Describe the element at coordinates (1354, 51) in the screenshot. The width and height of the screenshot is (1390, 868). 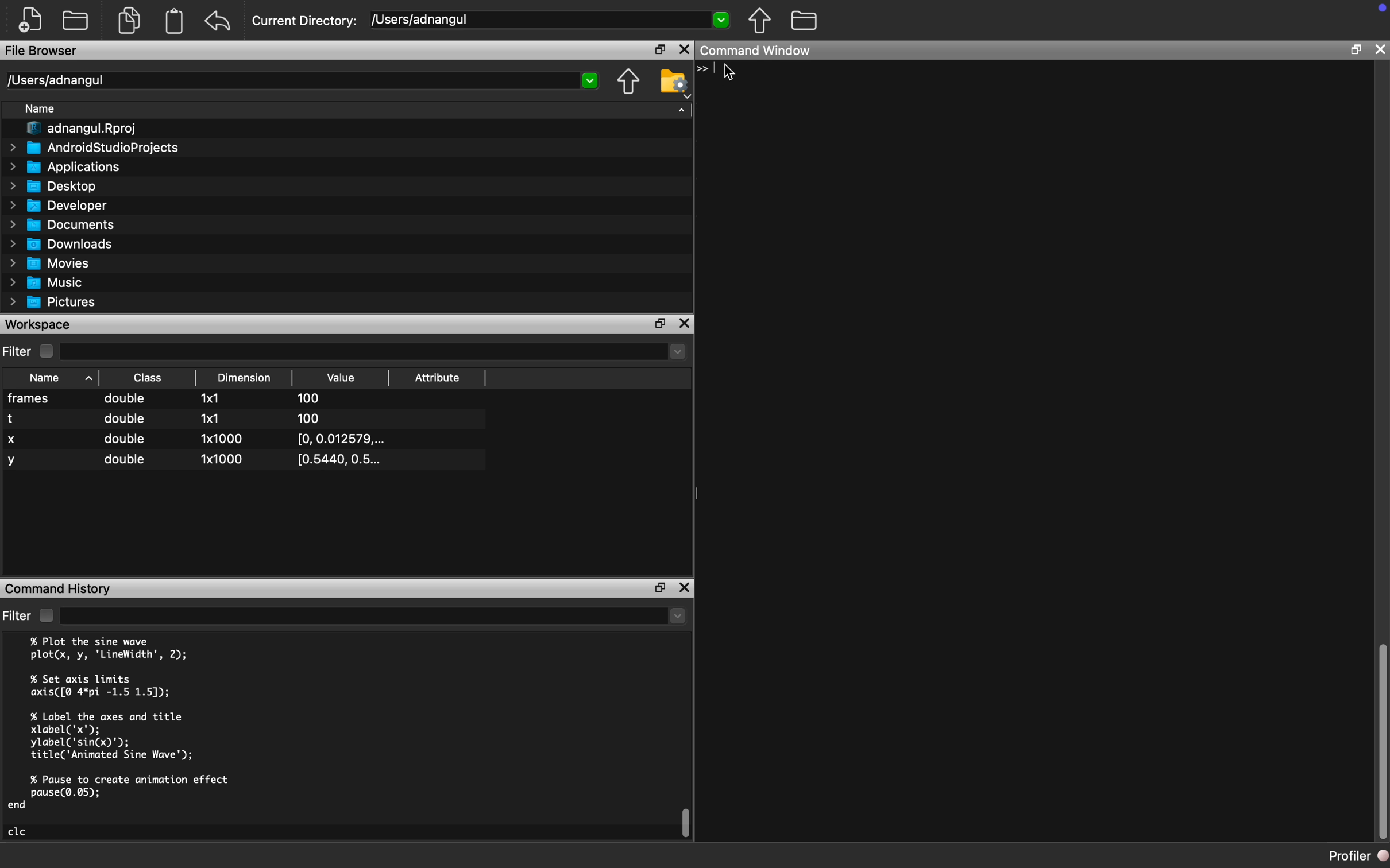
I see `Restore Down` at that location.